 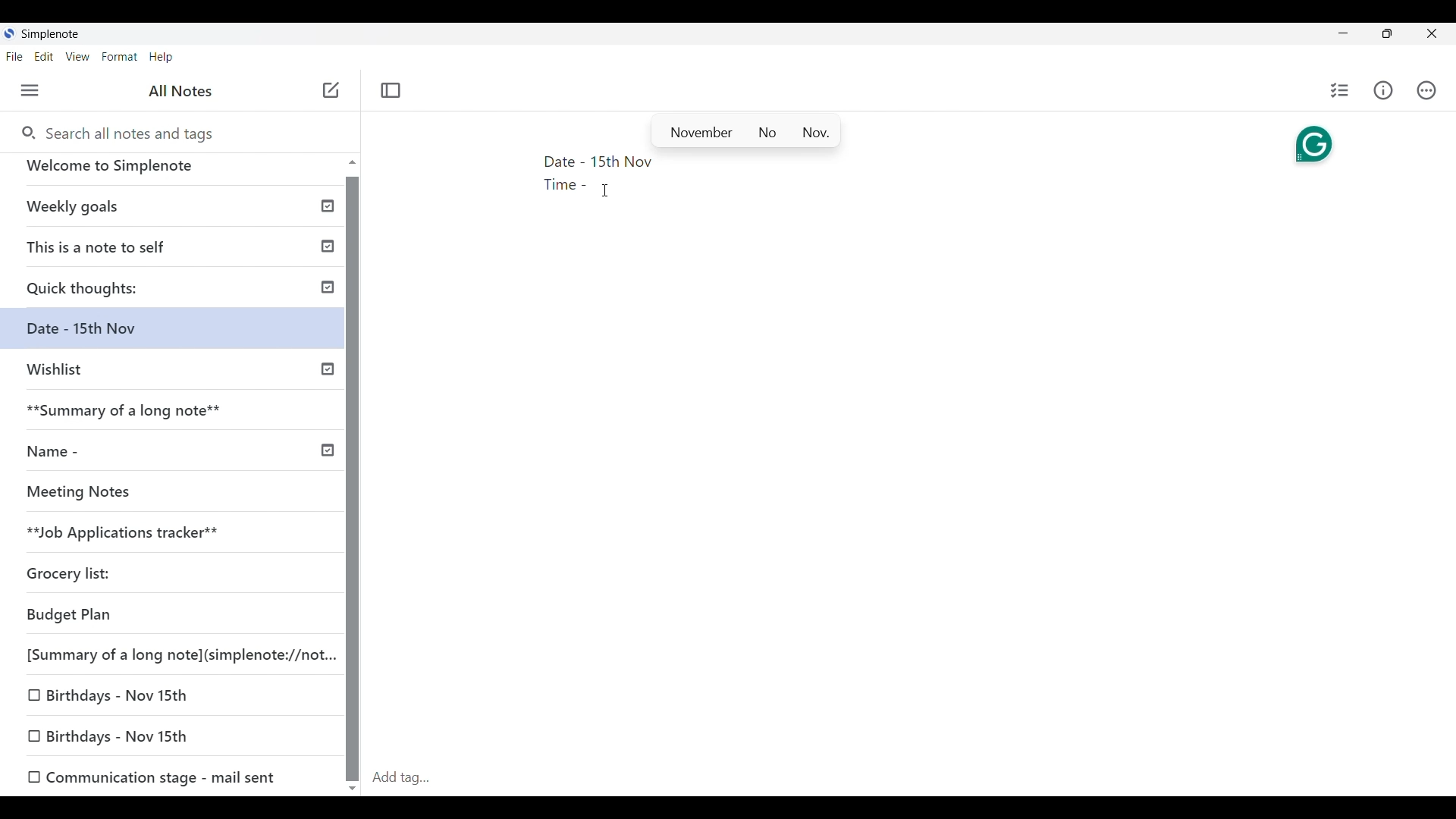 I want to click on Date added to note, so click(x=622, y=162).